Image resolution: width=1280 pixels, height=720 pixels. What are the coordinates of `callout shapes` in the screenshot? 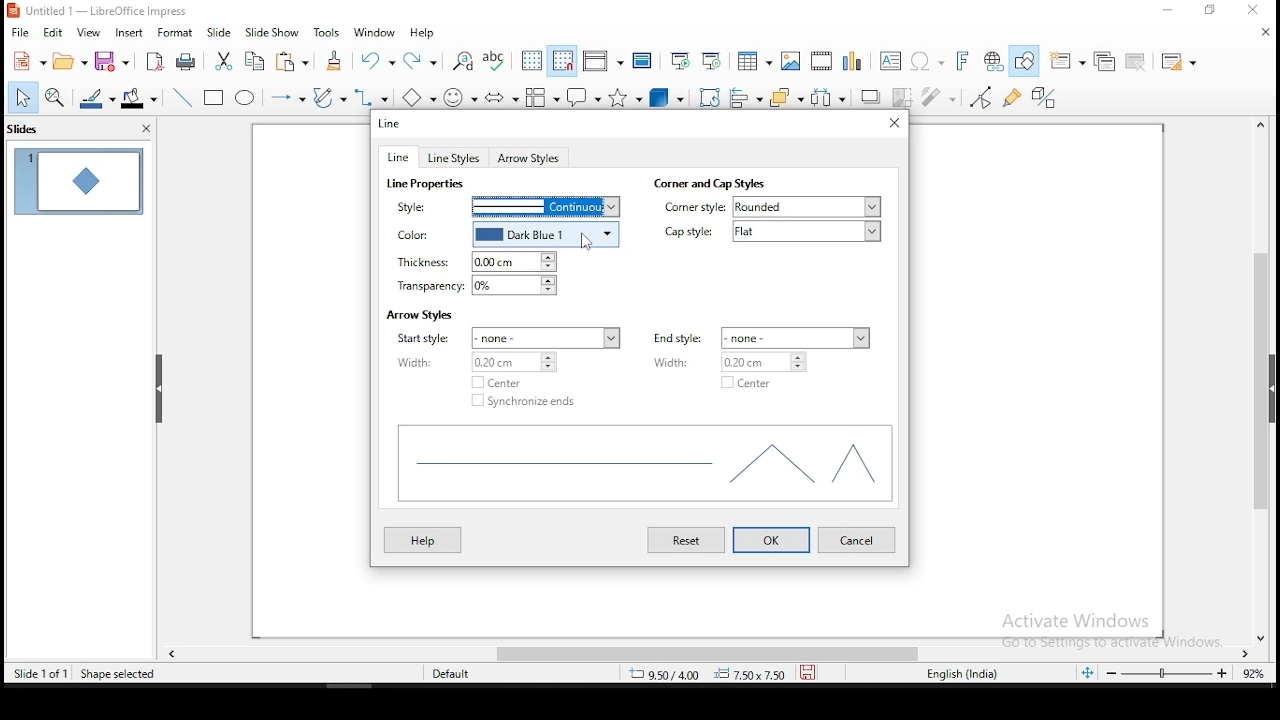 It's located at (587, 96).